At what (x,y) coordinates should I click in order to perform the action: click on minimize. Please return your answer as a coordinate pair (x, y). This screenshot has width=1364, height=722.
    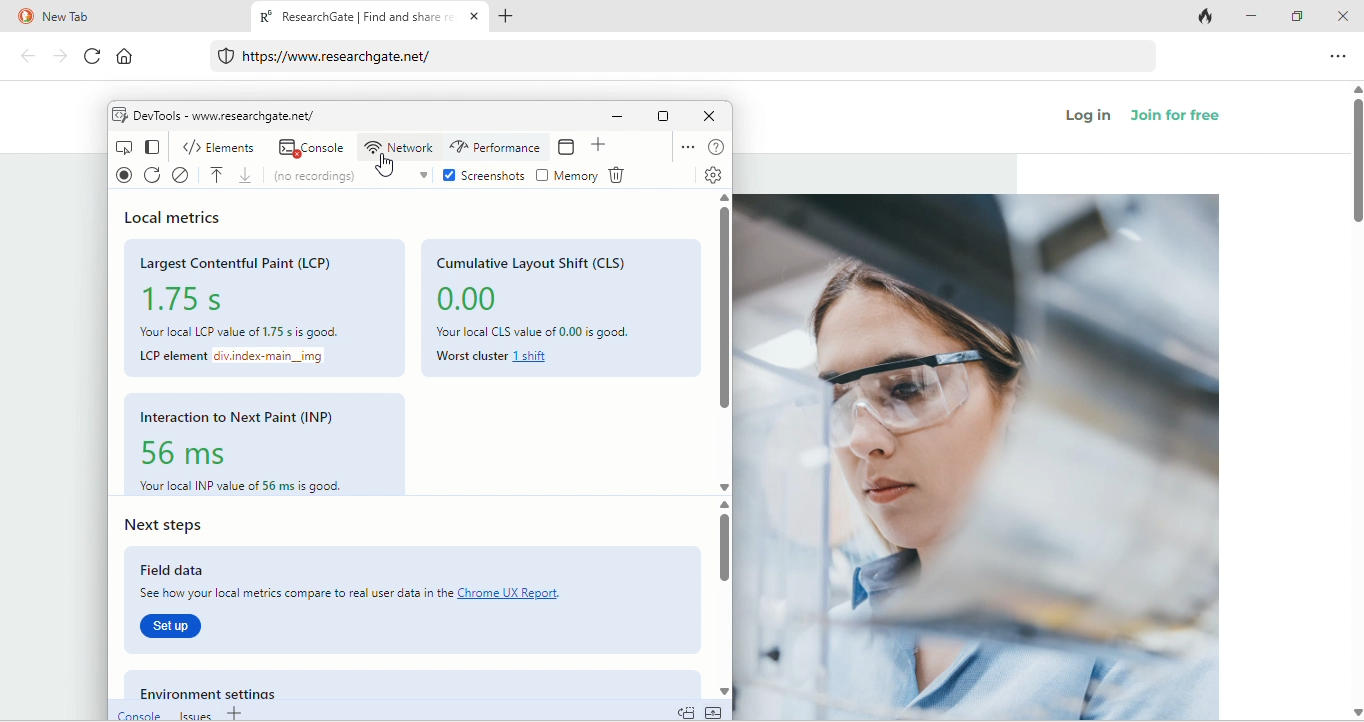
    Looking at the image, I should click on (616, 118).